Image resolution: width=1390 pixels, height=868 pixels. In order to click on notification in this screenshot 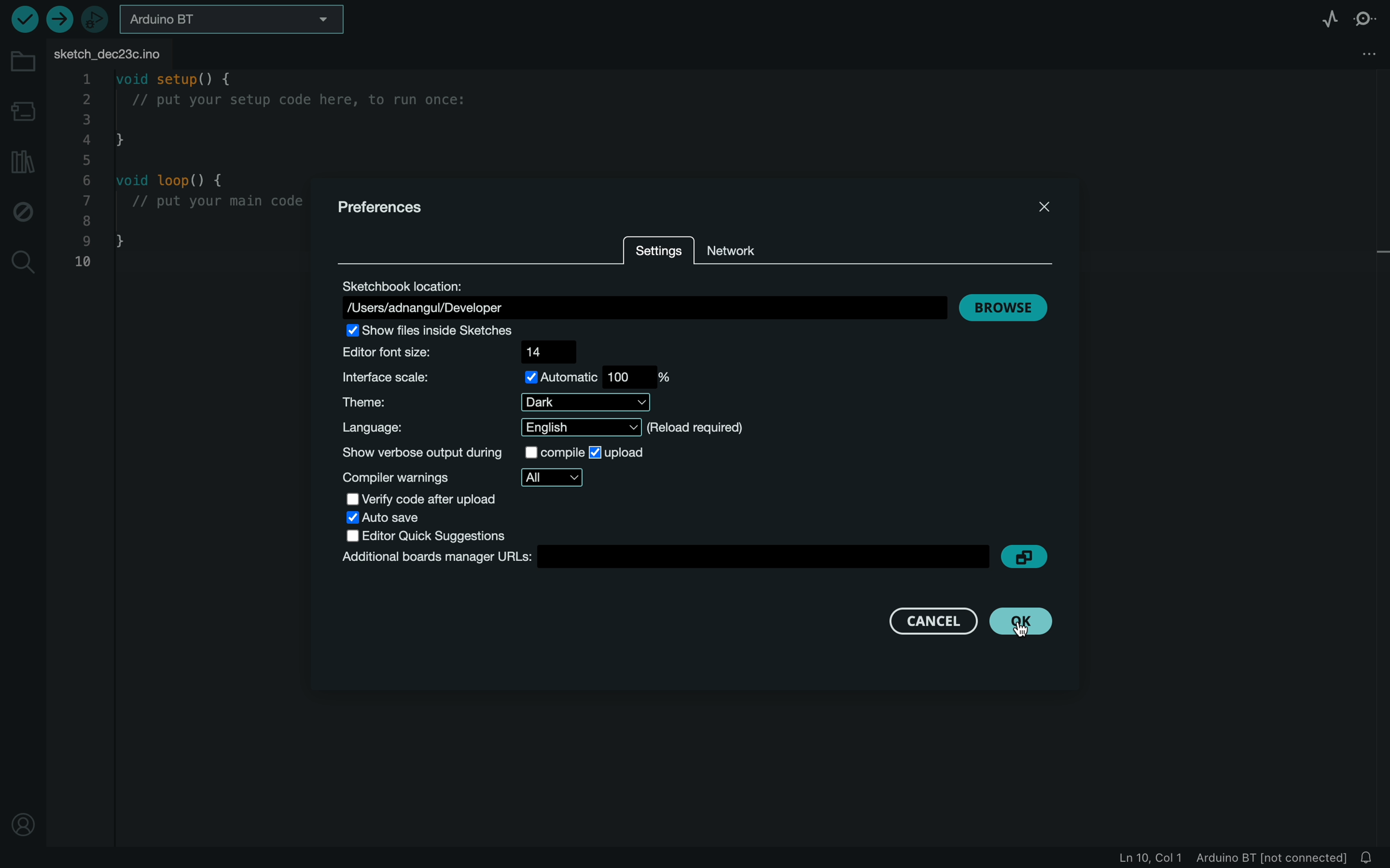, I will do `click(1372, 858)`.